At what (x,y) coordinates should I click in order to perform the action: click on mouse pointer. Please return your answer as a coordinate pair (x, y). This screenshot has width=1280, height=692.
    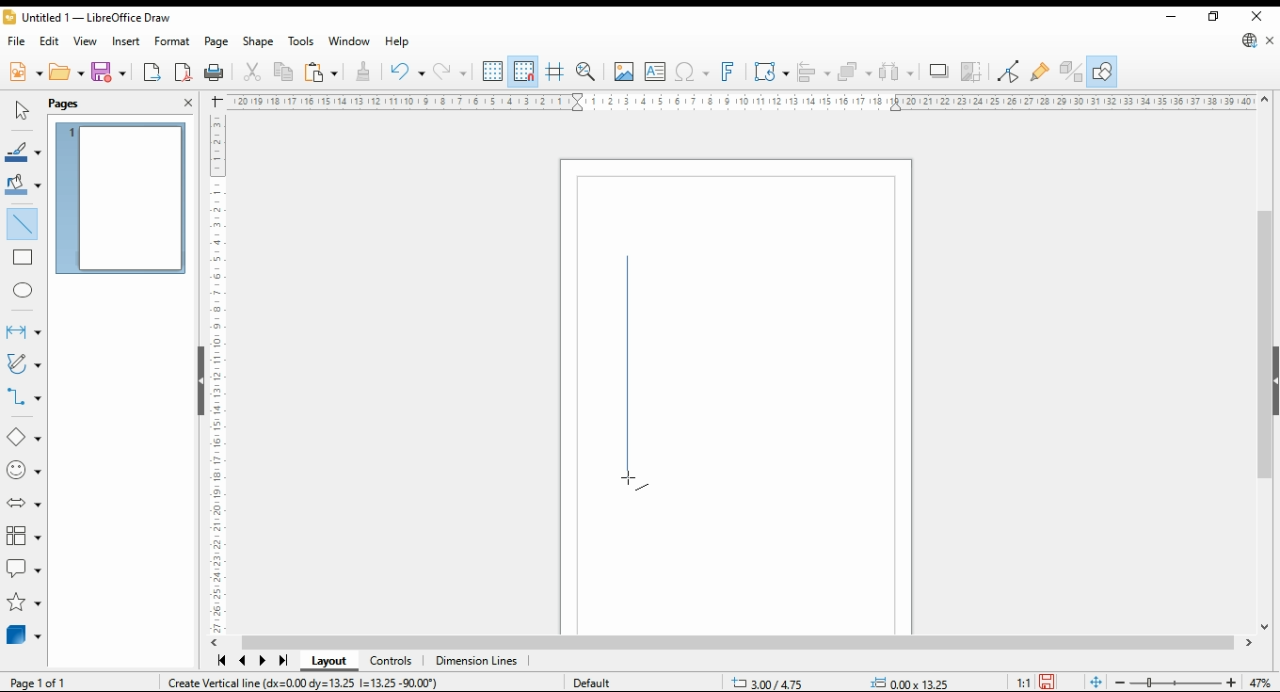
    Looking at the image, I should click on (630, 480).